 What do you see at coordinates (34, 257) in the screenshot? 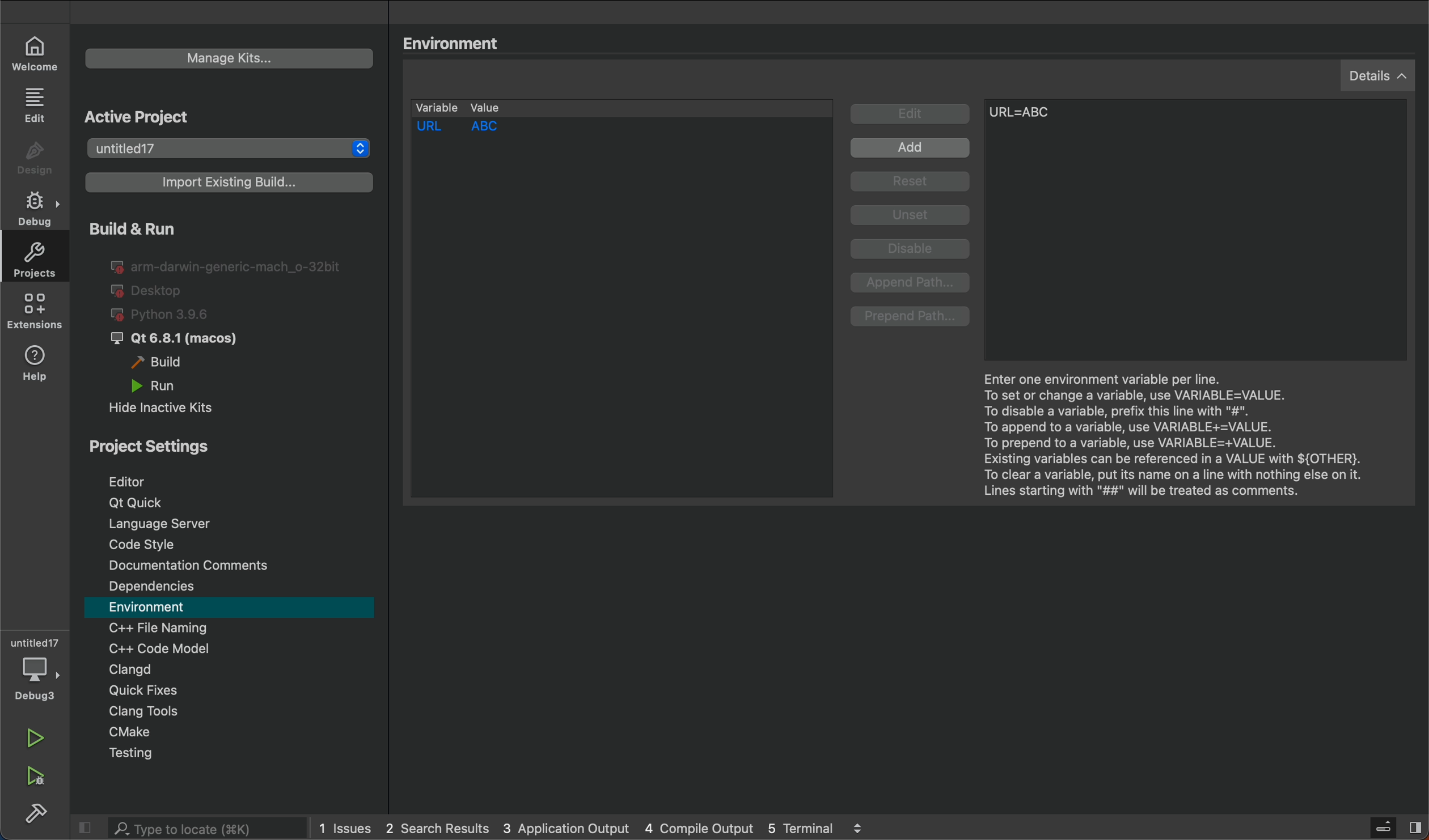
I see `projects` at bounding box center [34, 257].